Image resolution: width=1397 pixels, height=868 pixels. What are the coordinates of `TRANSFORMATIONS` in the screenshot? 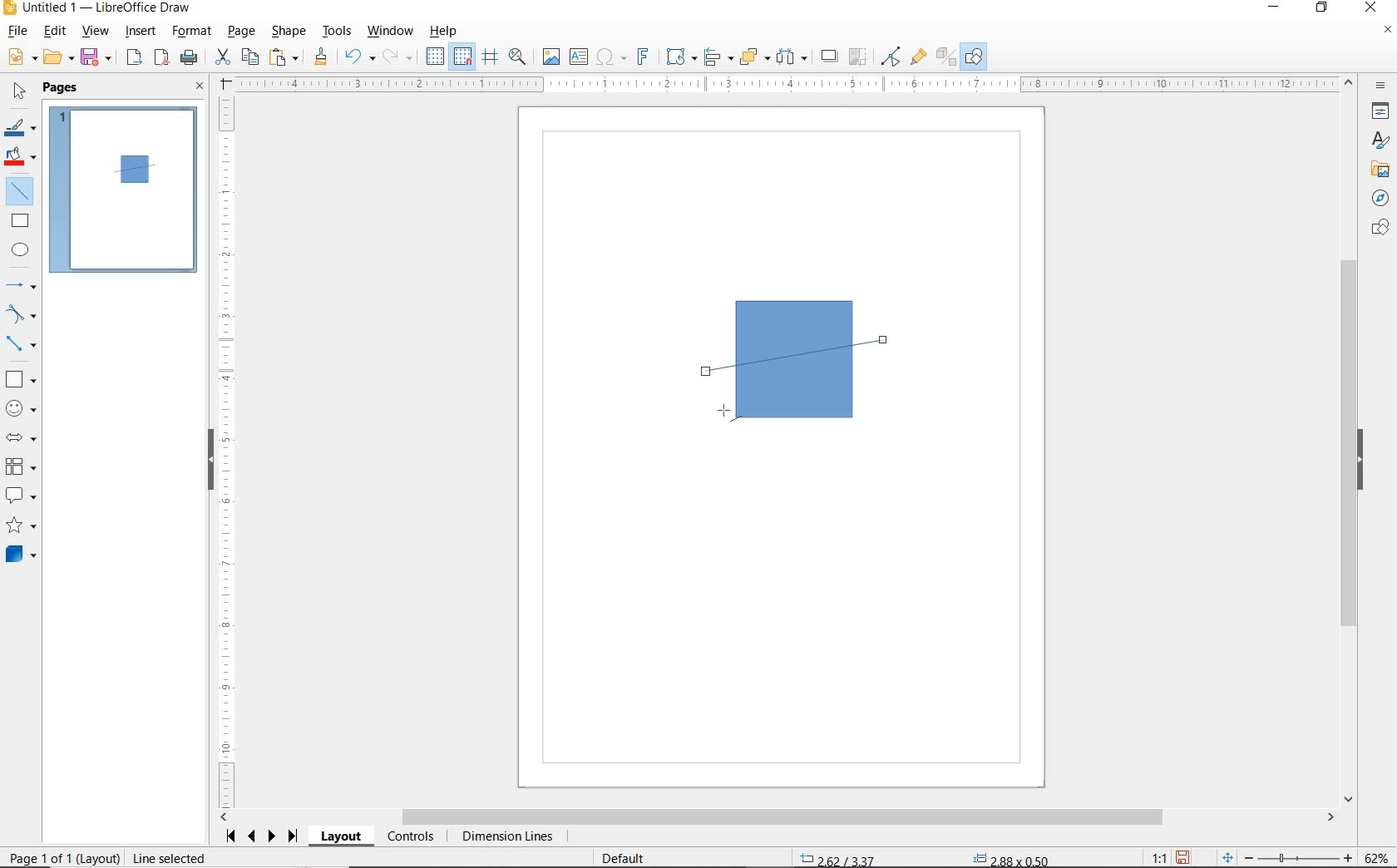 It's located at (679, 57).